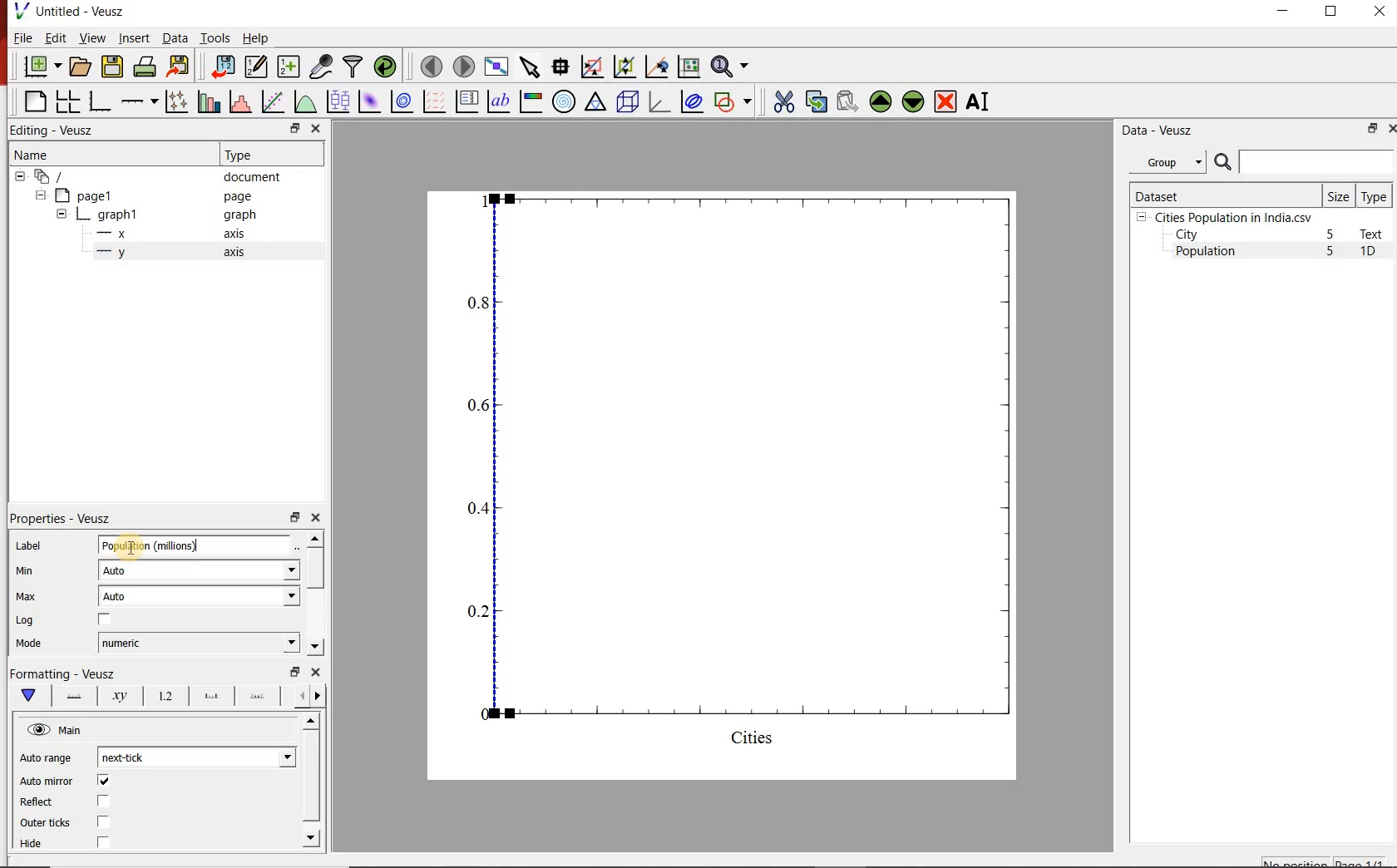 This screenshot has height=868, width=1397. Describe the element at coordinates (116, 699) in the screenshot. I see `Axis Label` at that location.